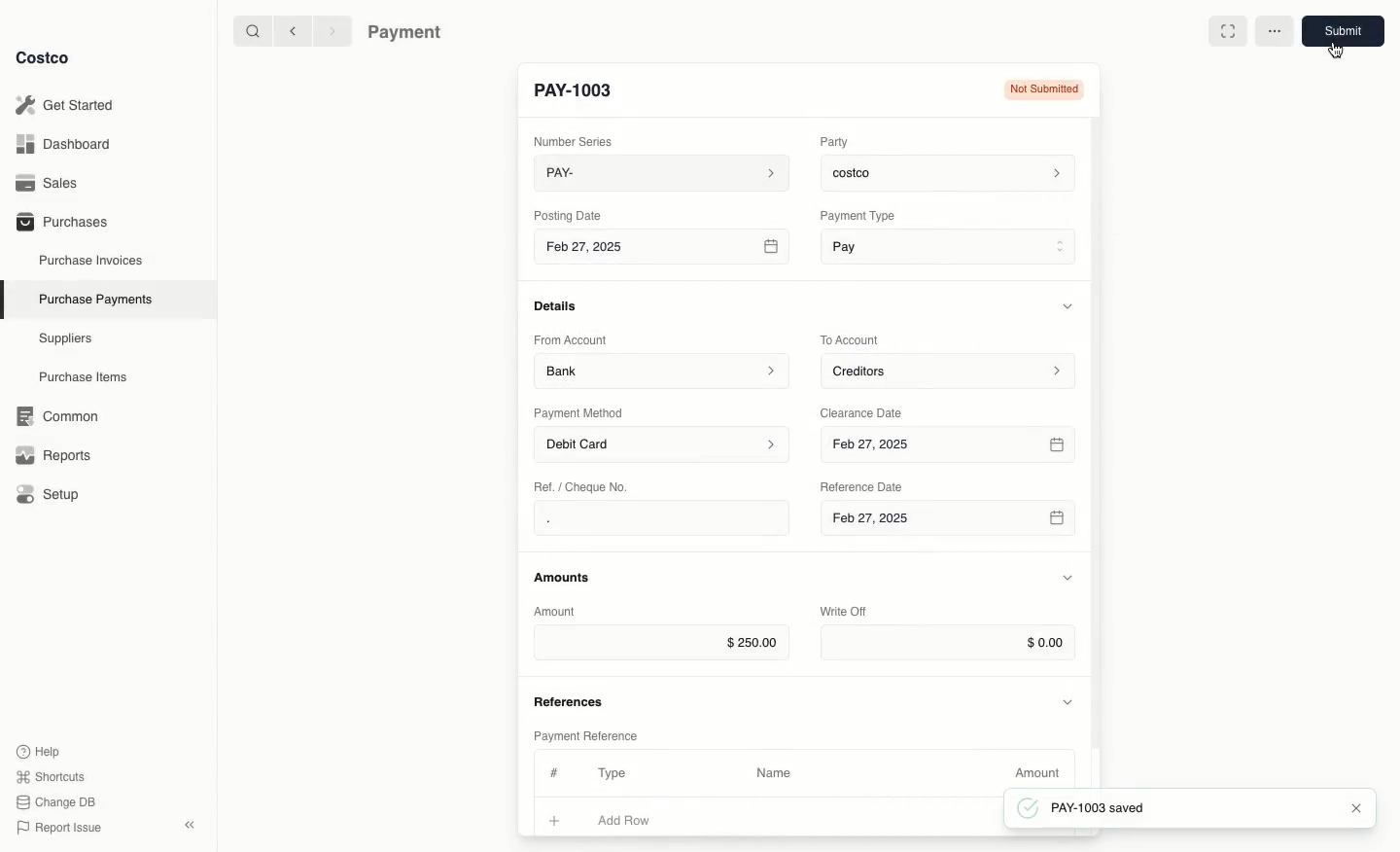  Describe the element at coordinates (252, 29) in the screenshot. I see `Search` at that location.